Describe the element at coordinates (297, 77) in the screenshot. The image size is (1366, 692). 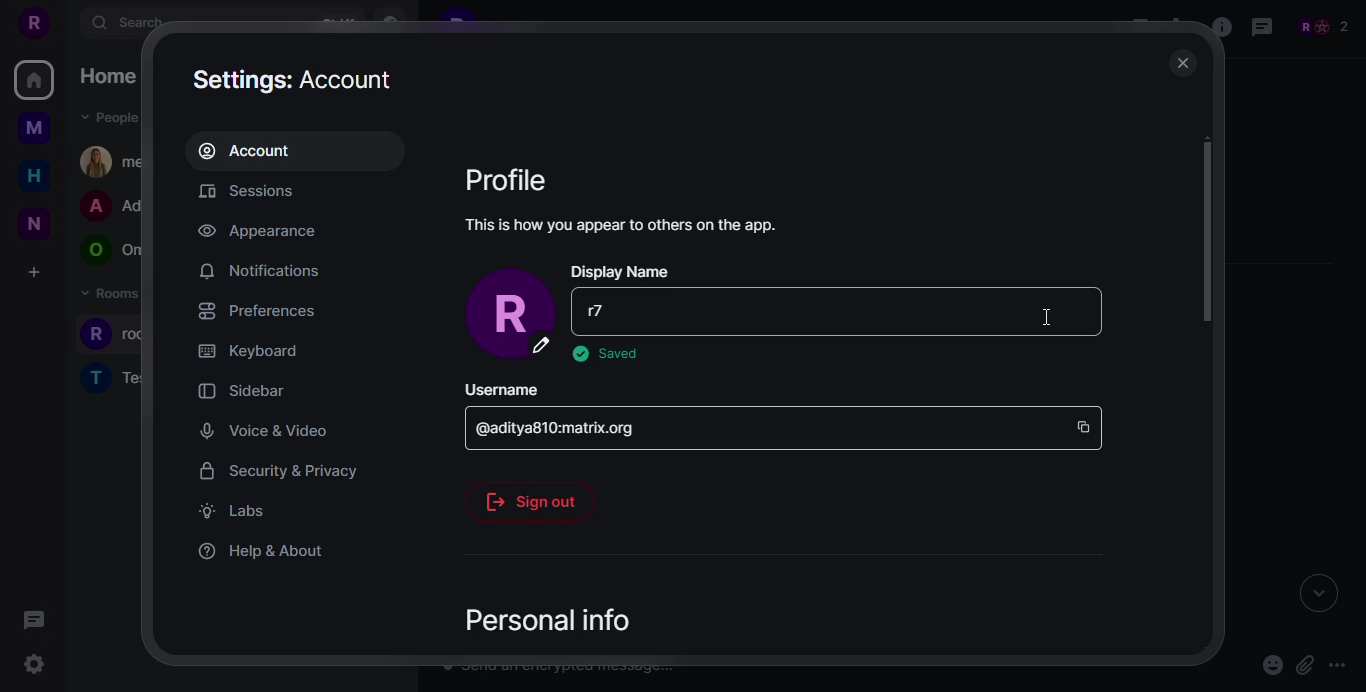
I see `settings: account` at that location.